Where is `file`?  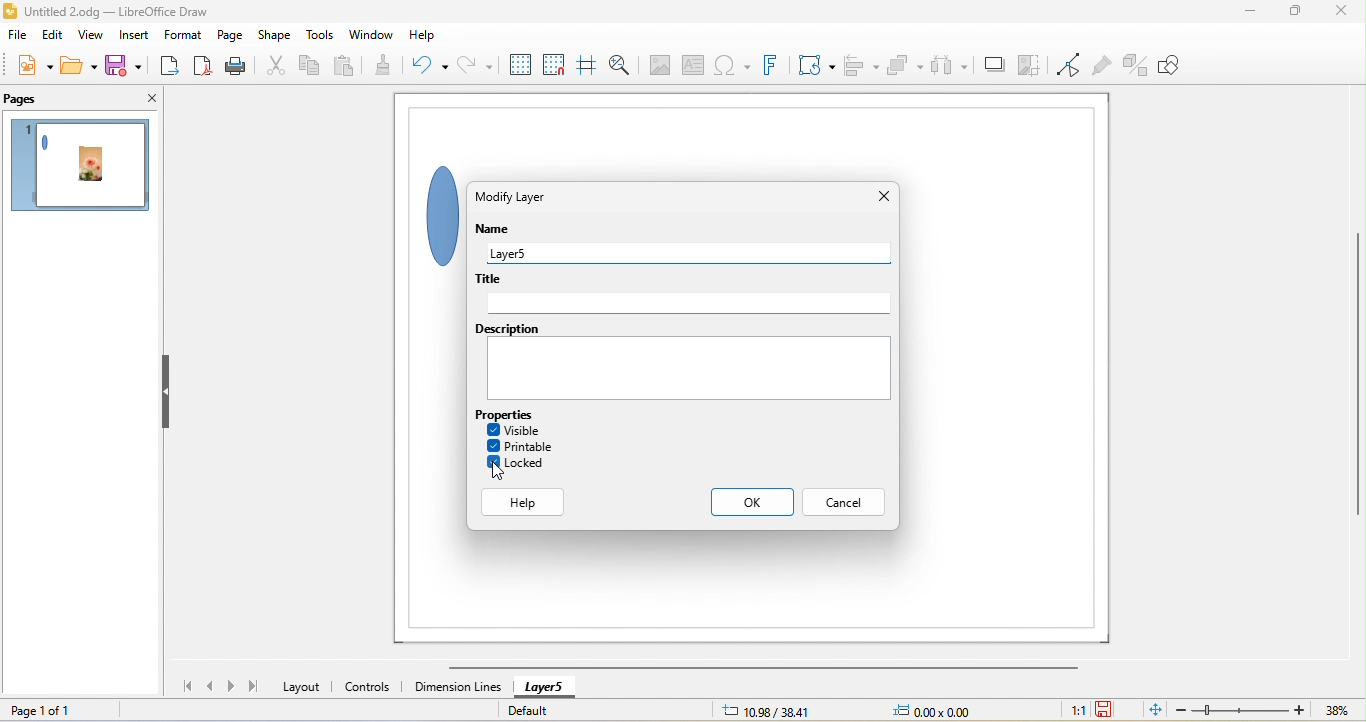 file is located at coordinates (18, 38).